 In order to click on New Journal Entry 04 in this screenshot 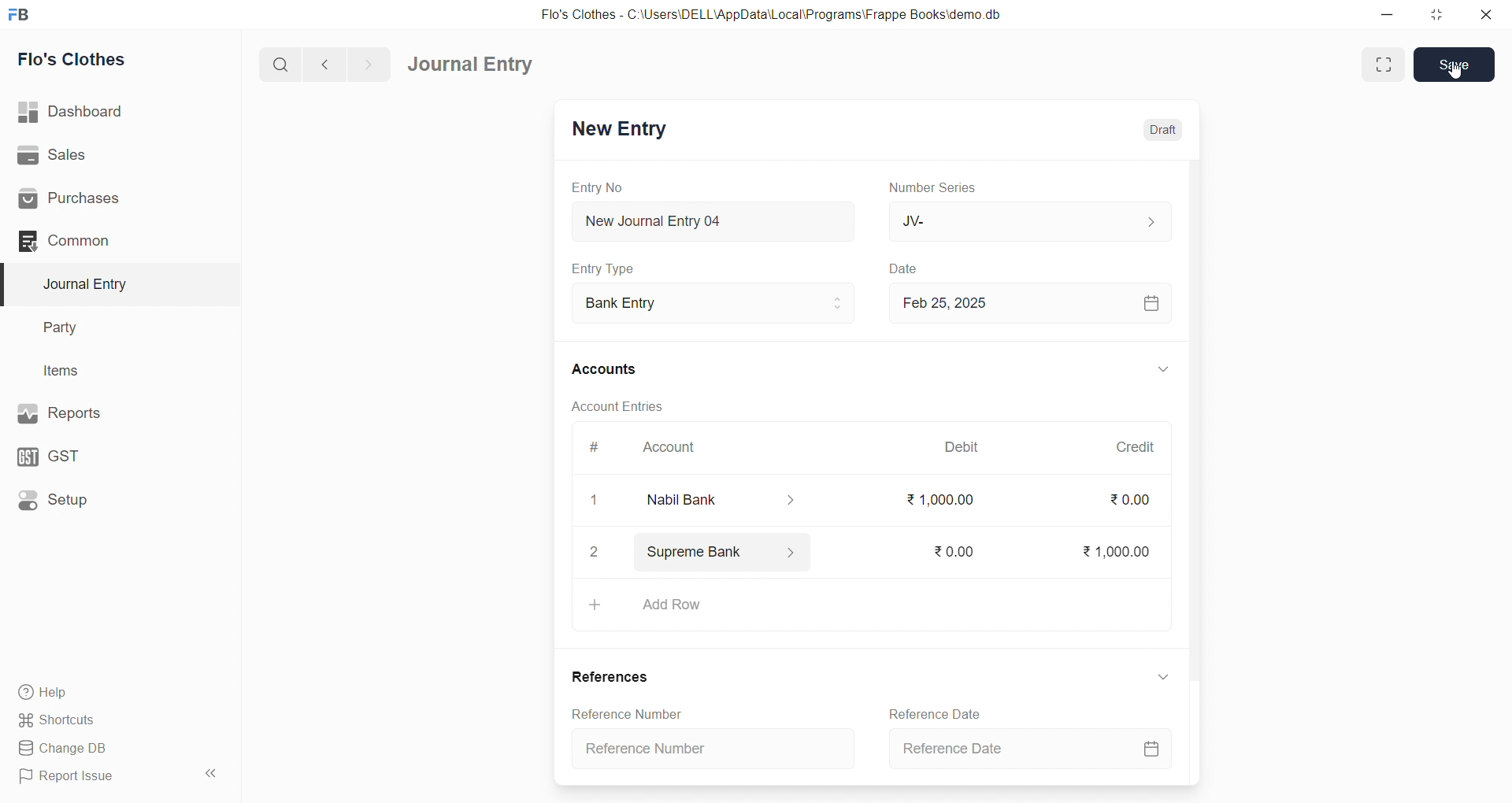, I will do `click(710, 220)`.